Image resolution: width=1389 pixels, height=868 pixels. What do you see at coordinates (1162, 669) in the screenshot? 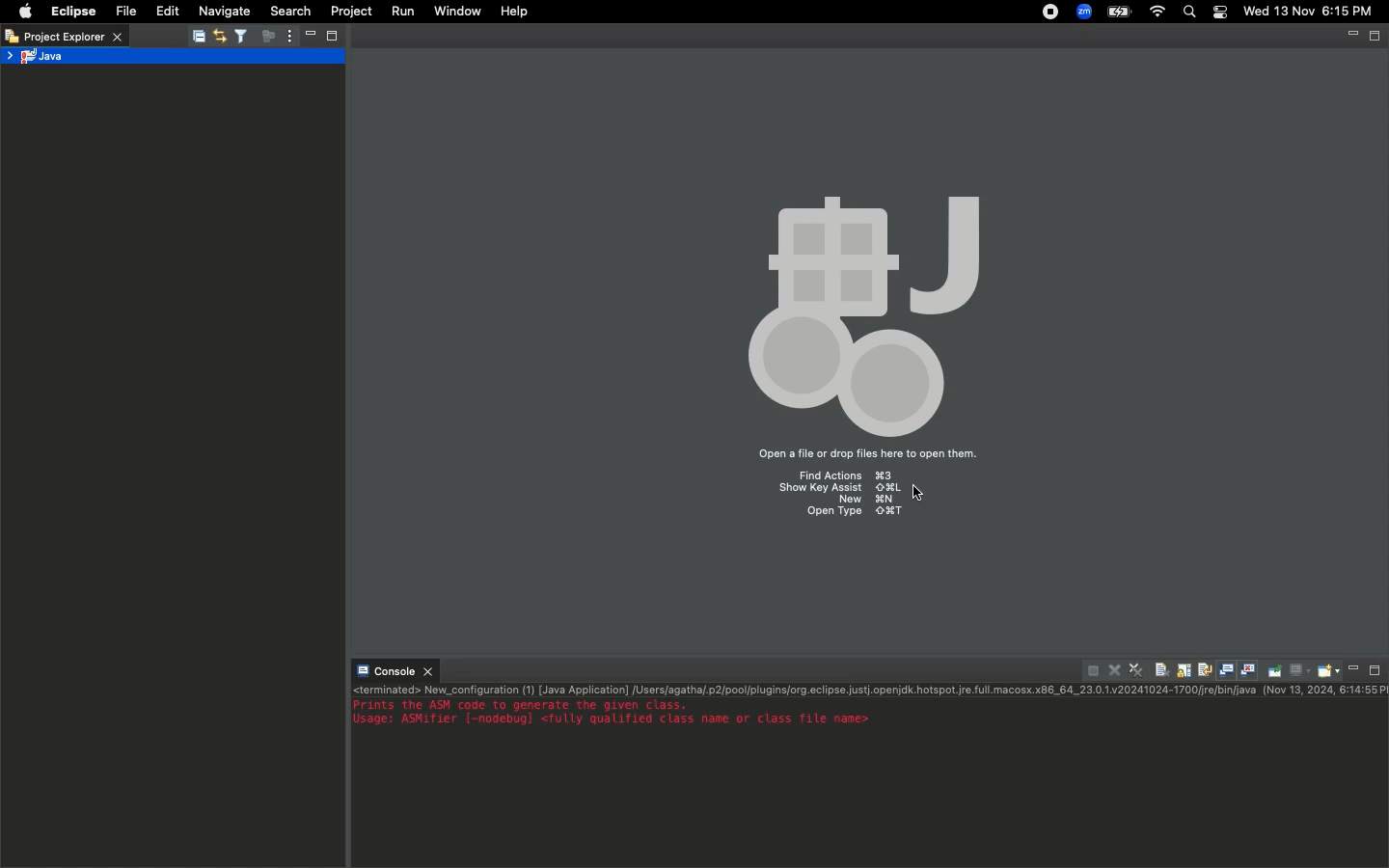
I see `Clear console` at bounding box center [1162, 669].